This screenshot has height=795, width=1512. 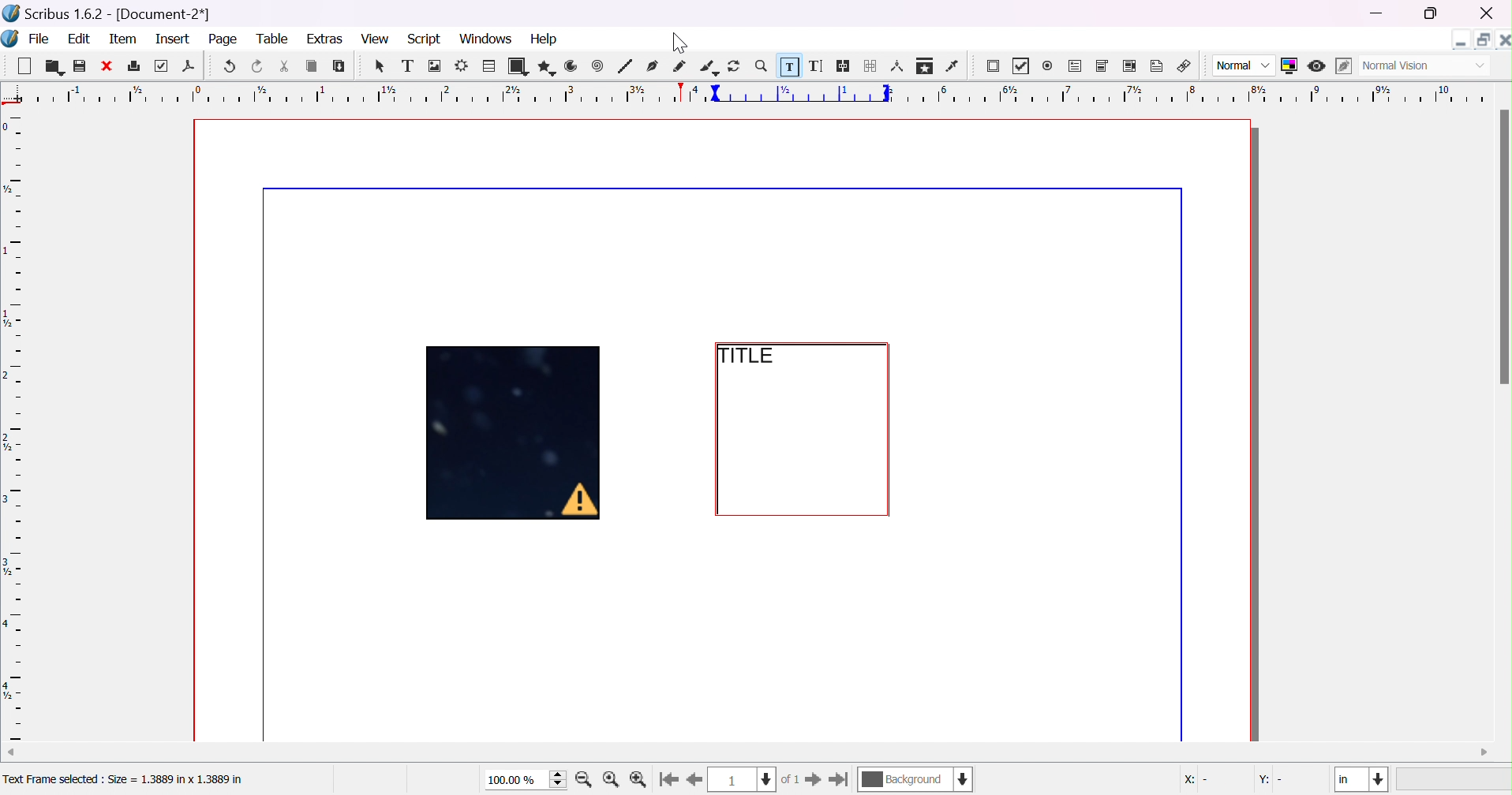 I want to click on spiral, so click(x=597, y=65).